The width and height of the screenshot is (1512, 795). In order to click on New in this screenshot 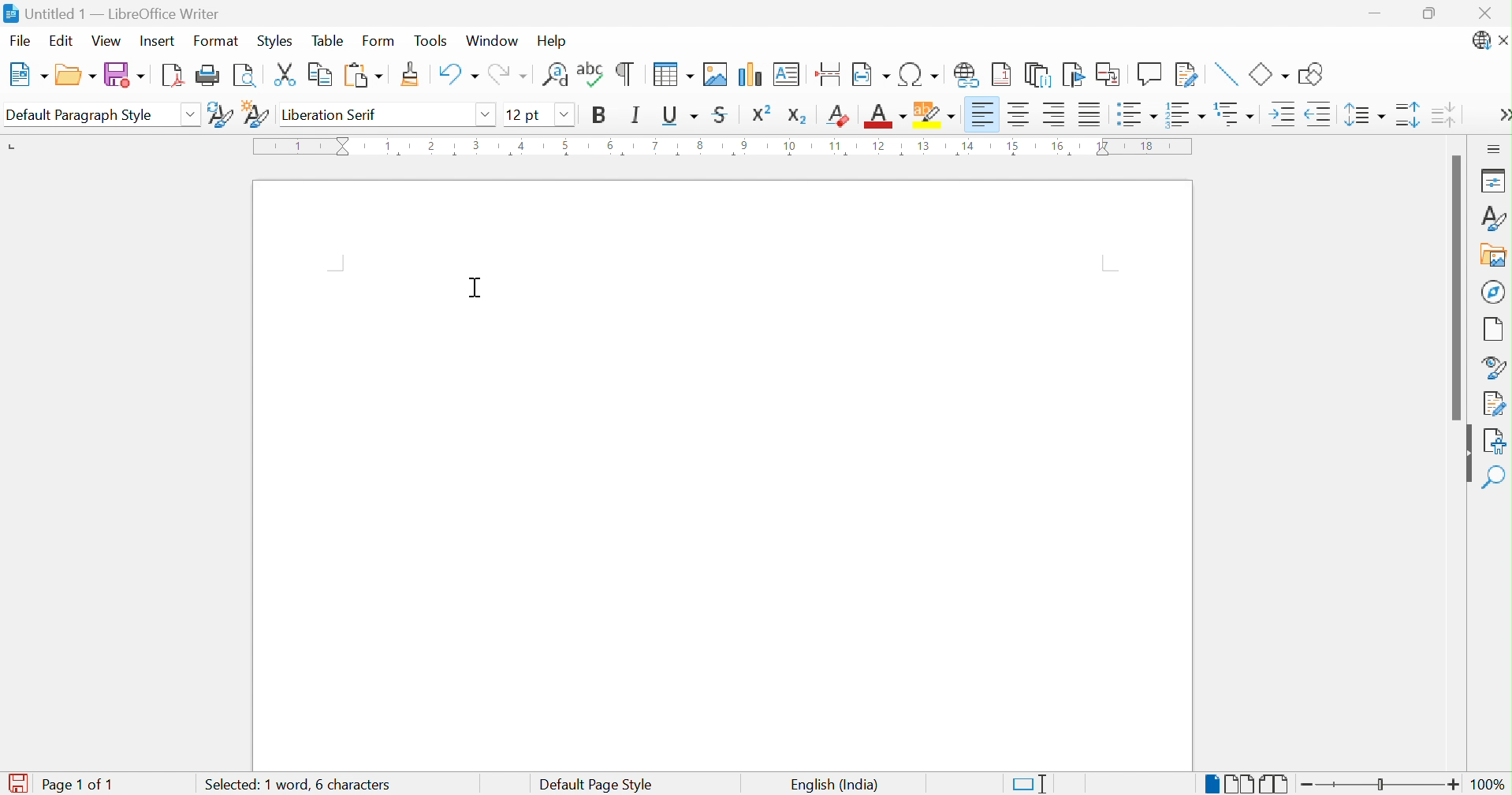, I will do `click(28, 75)`.